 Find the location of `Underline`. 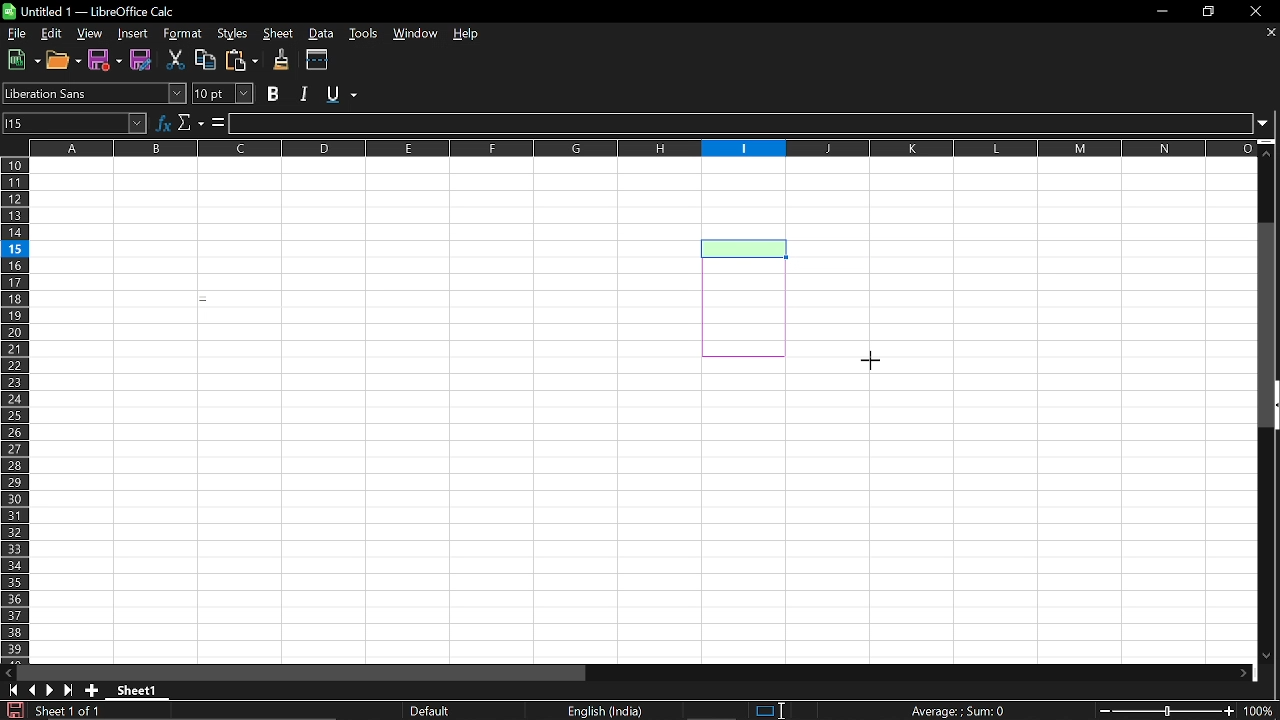

Underline is located at coordinates (344, 95).